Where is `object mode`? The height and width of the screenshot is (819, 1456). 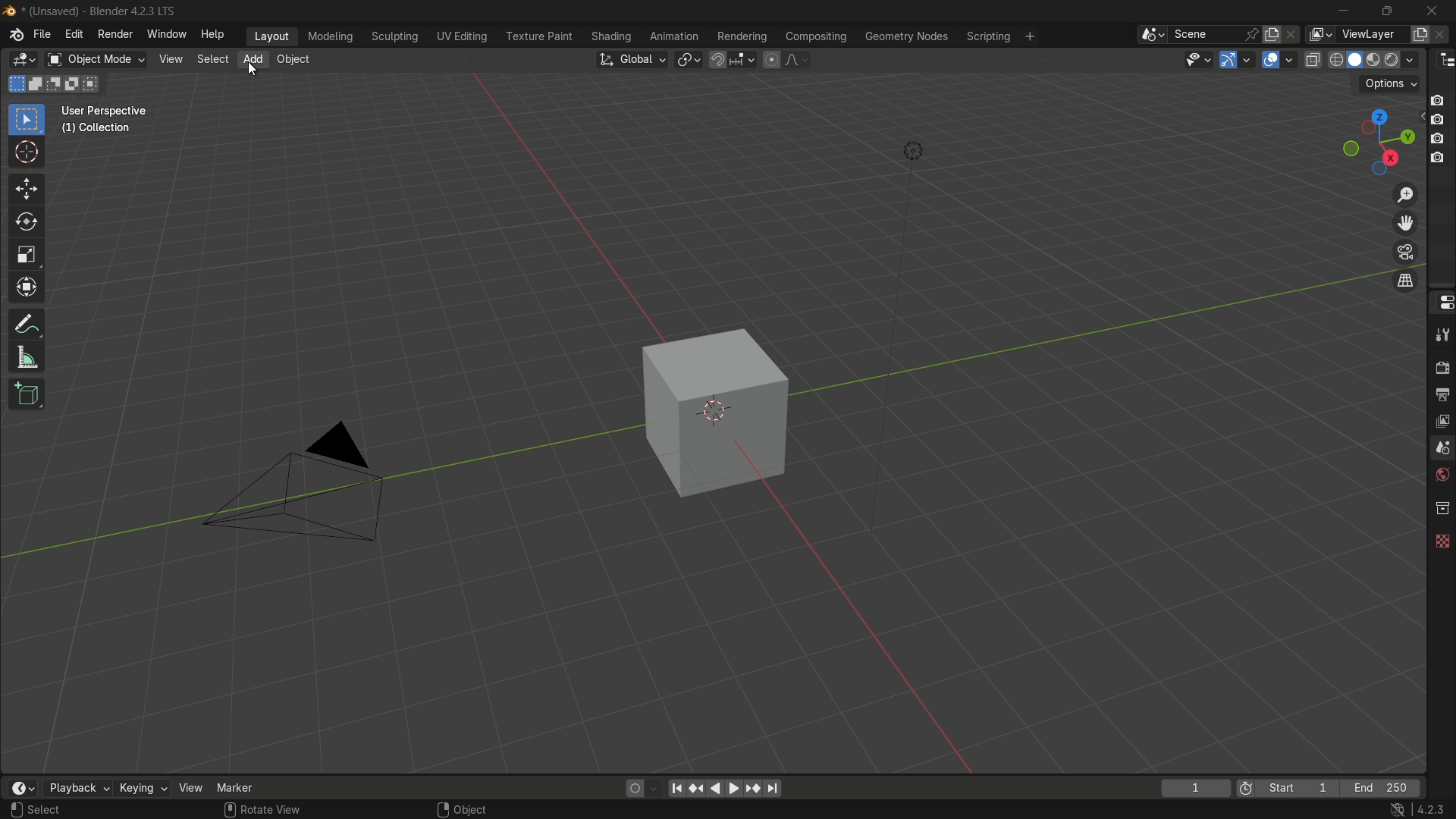
object mode is located at coordinates (95, 59).